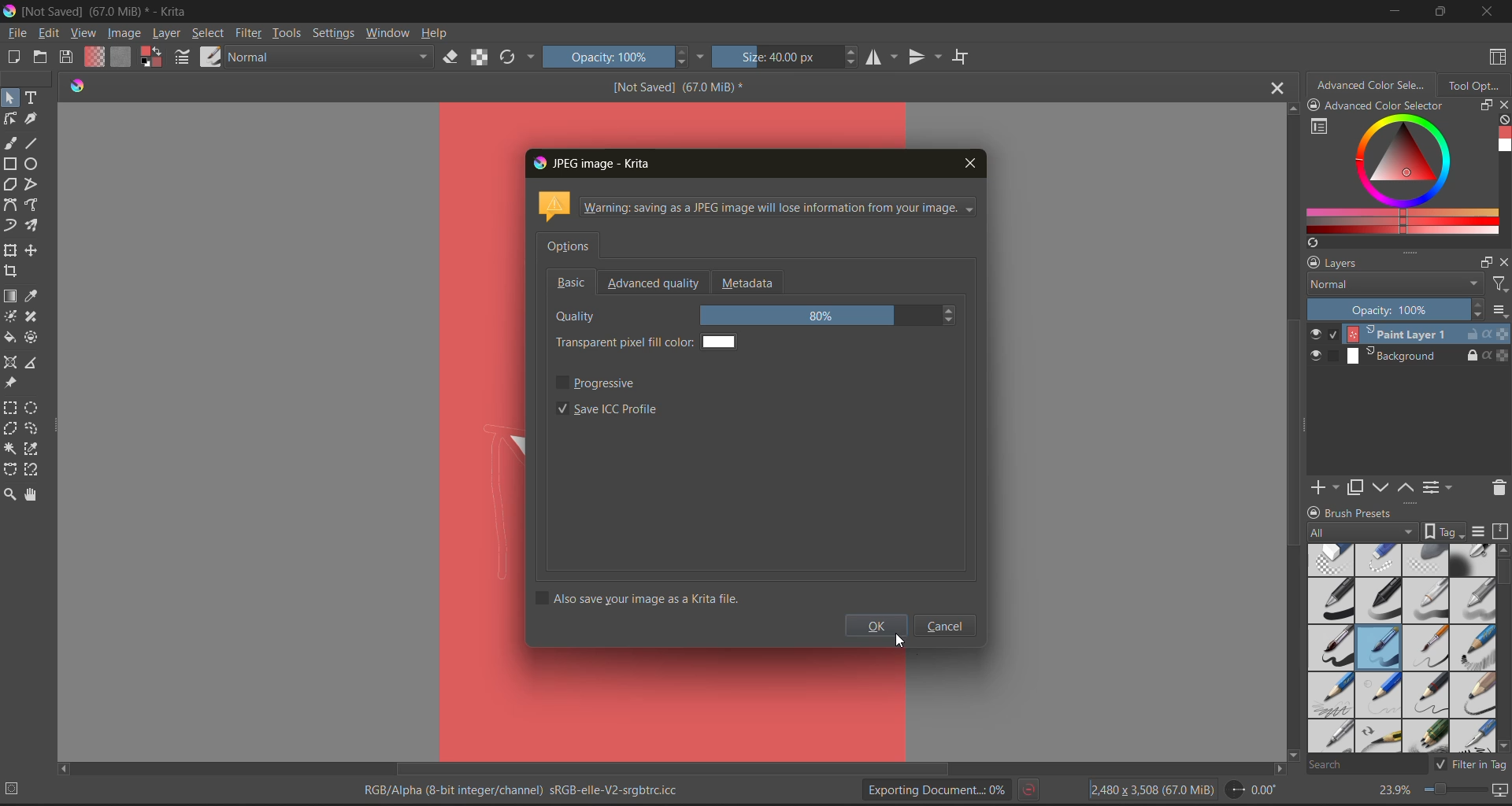 The height and width of the screenshot is (806, 1512). Describe the element at coordinates (48, 33) in the screenshot. I see `edit` at that location.